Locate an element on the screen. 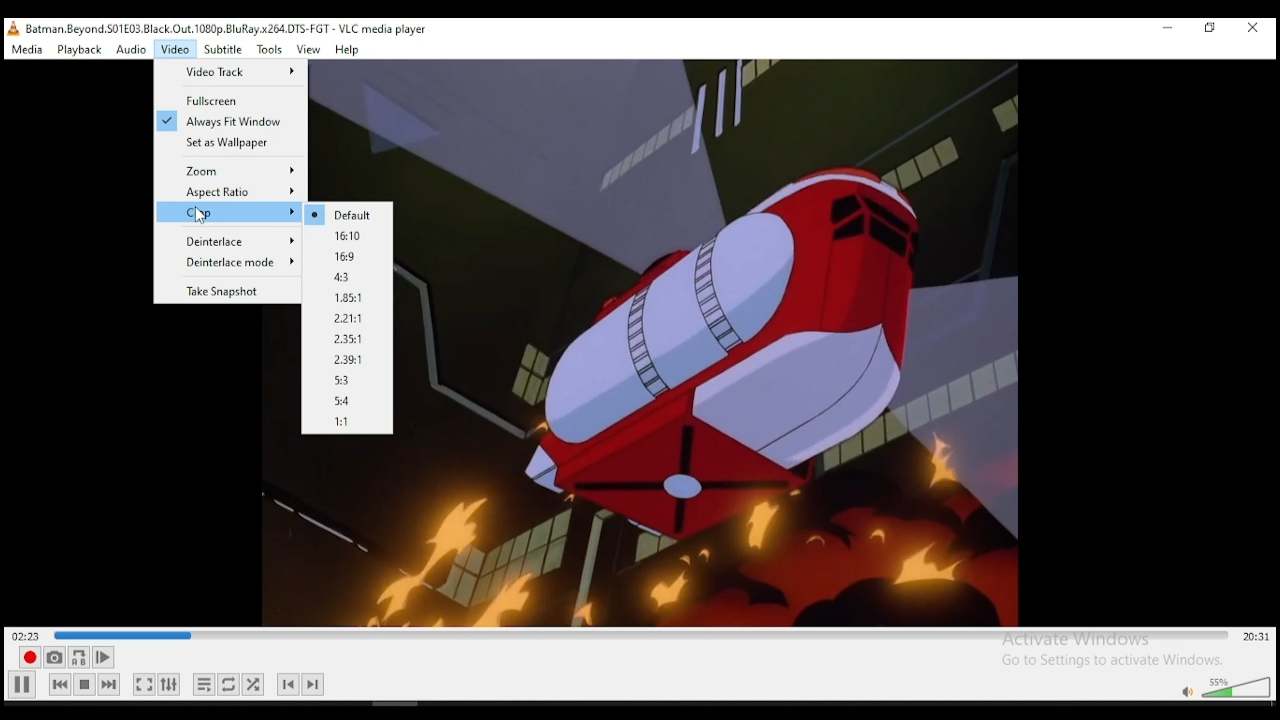 The height and width of the screenshot is (720, 1280). 5:3 is located at coordinates (348, 379).